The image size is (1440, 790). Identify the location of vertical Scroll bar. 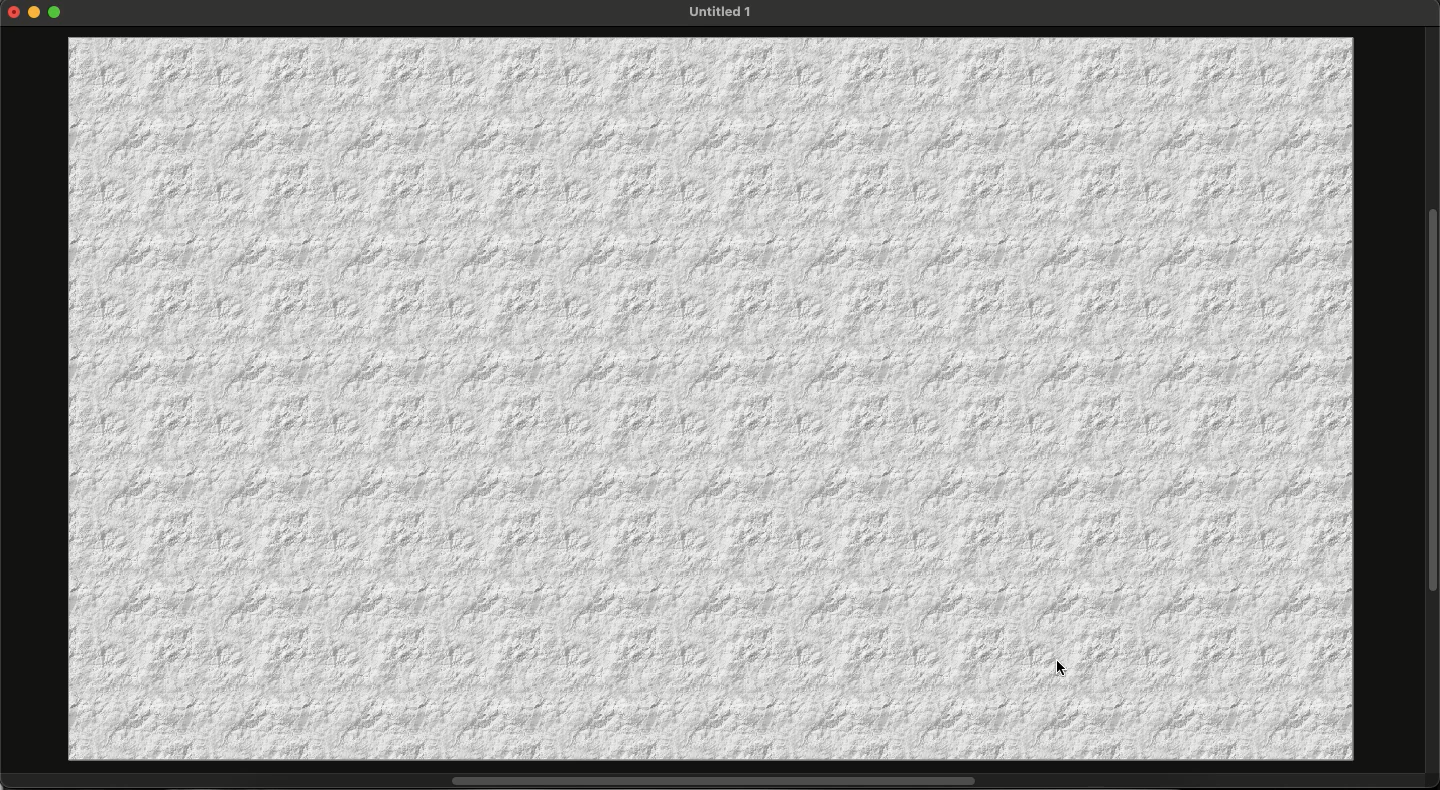
(1431, 398).